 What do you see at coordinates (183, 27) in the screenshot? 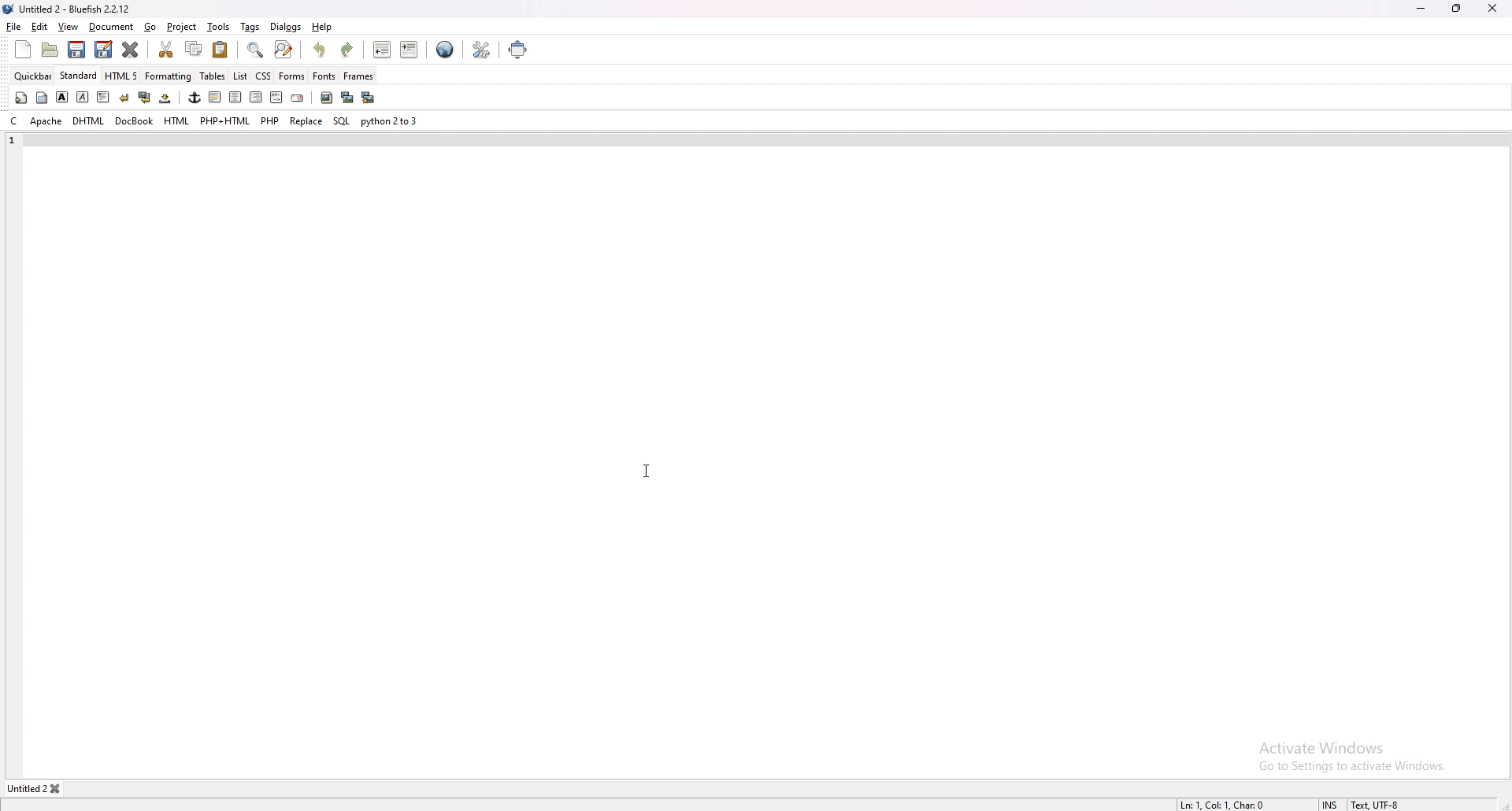
I see `project` at bounding box center [183, 27].